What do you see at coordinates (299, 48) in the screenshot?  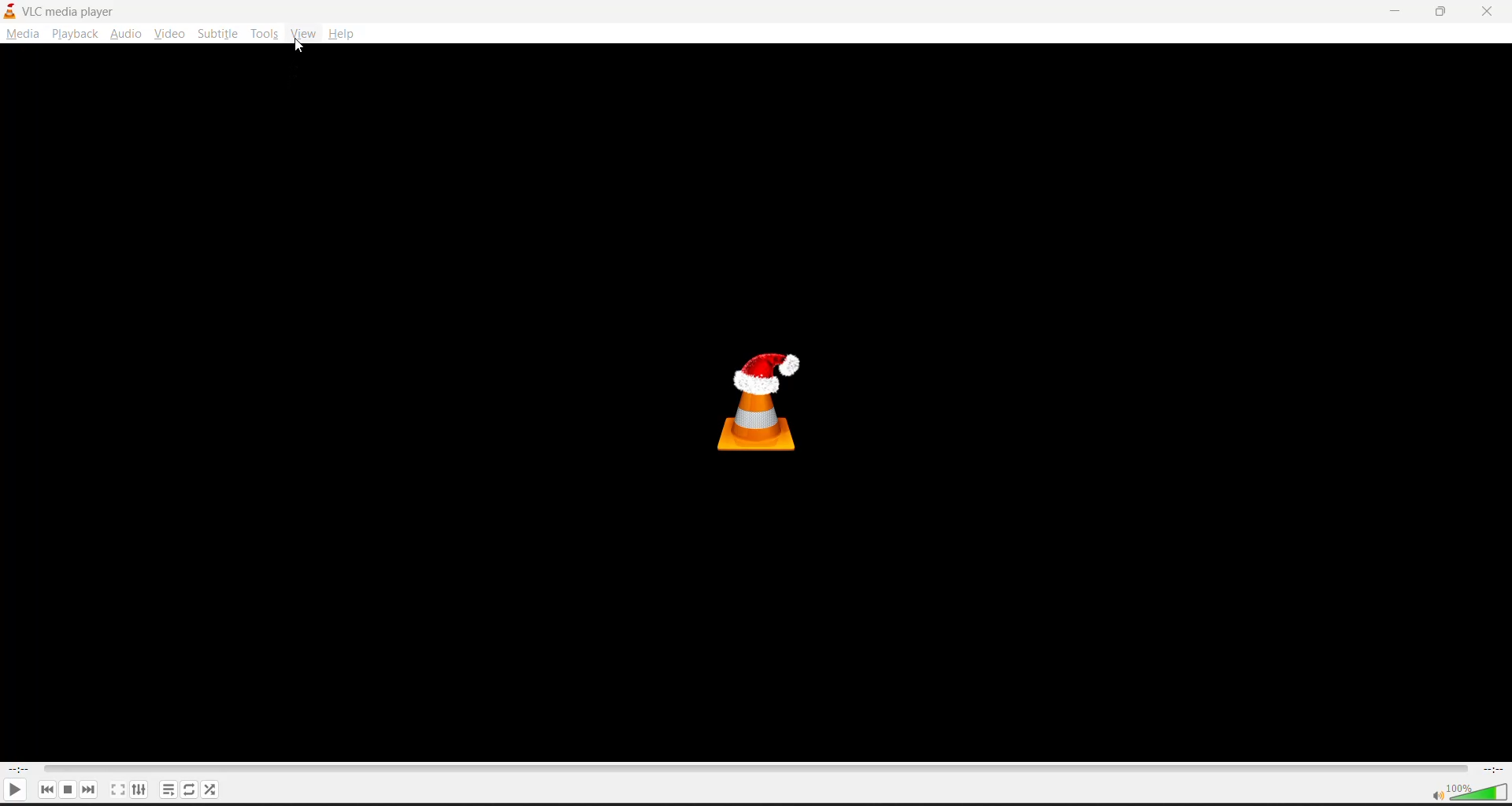 I see `cursor` at bounding box center [299, 48].